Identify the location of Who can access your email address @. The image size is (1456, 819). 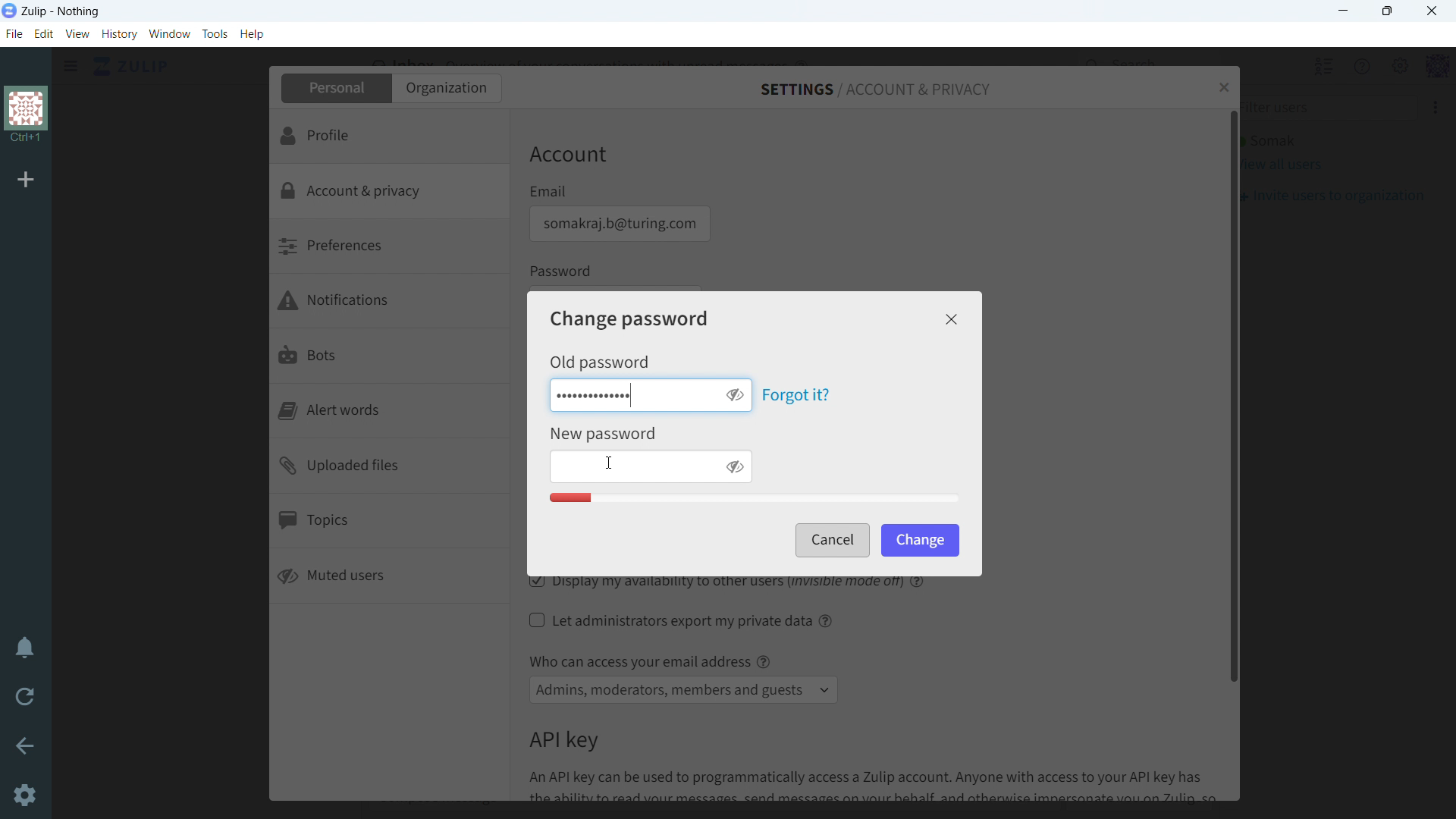
(649, 661).